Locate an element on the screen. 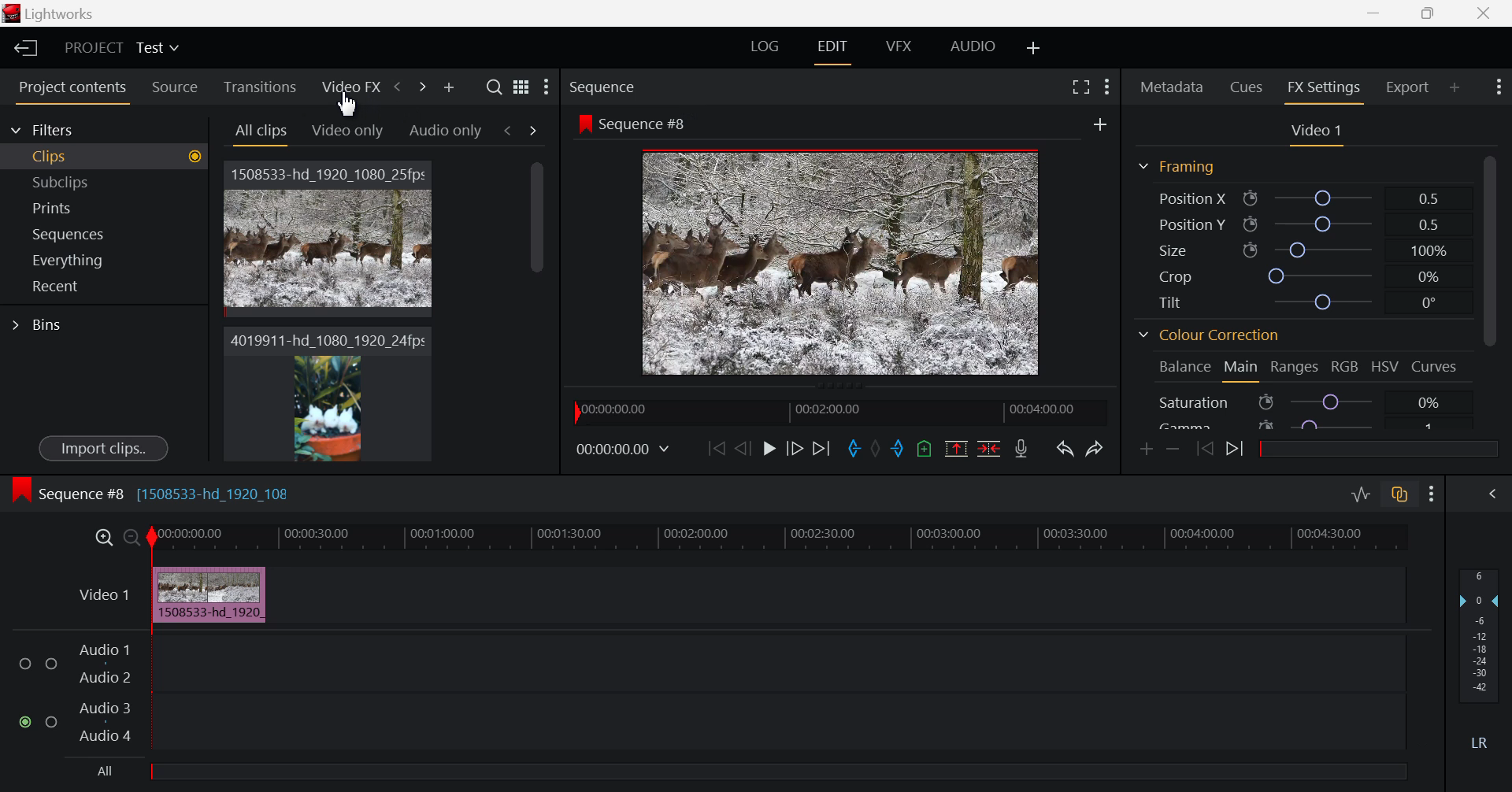 The width and height of the screenshot is (1512, 792). Previous Page is located at coordinates (509, 129).